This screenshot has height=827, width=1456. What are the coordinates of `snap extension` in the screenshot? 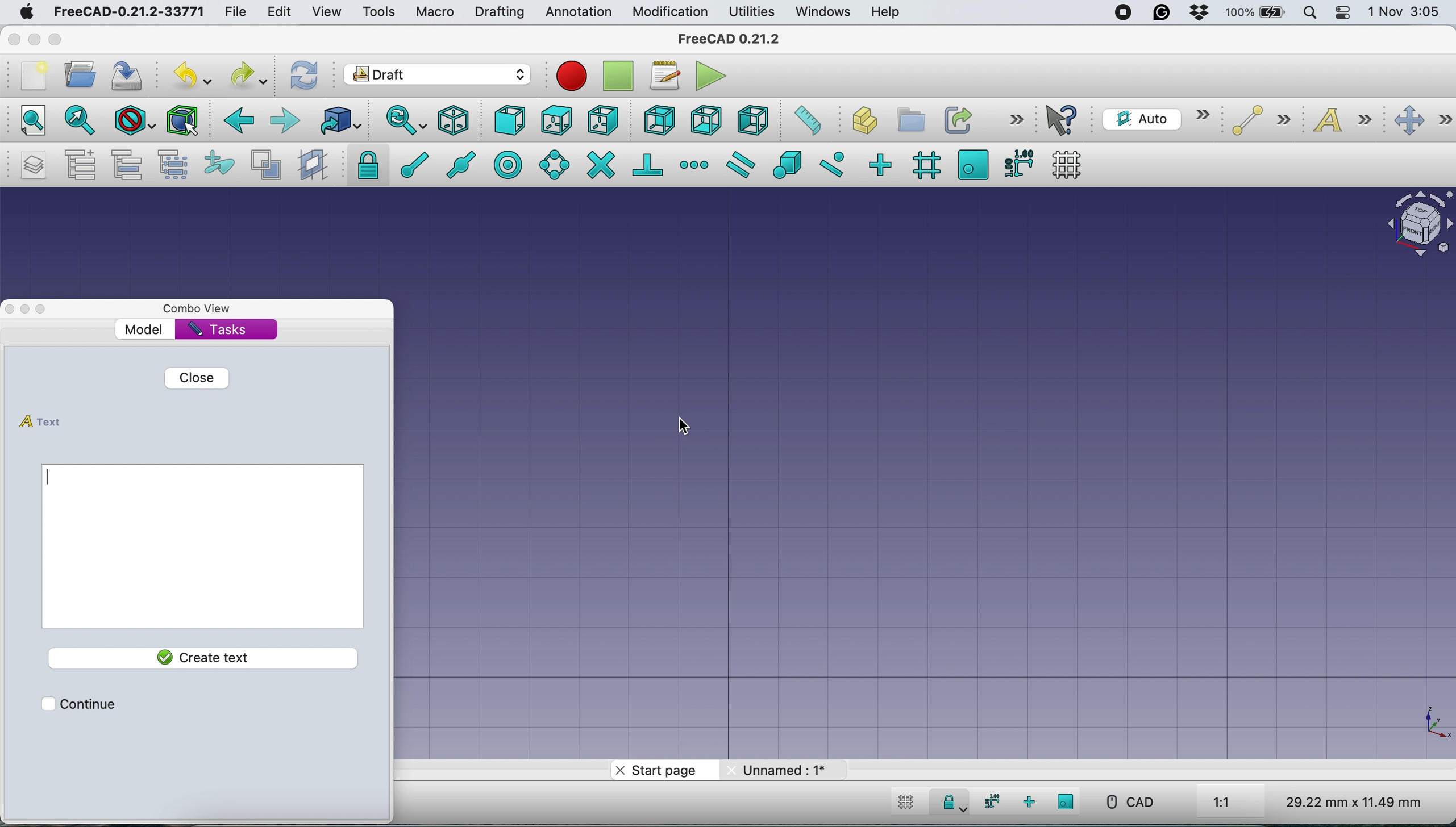 It's located at (694, 165).